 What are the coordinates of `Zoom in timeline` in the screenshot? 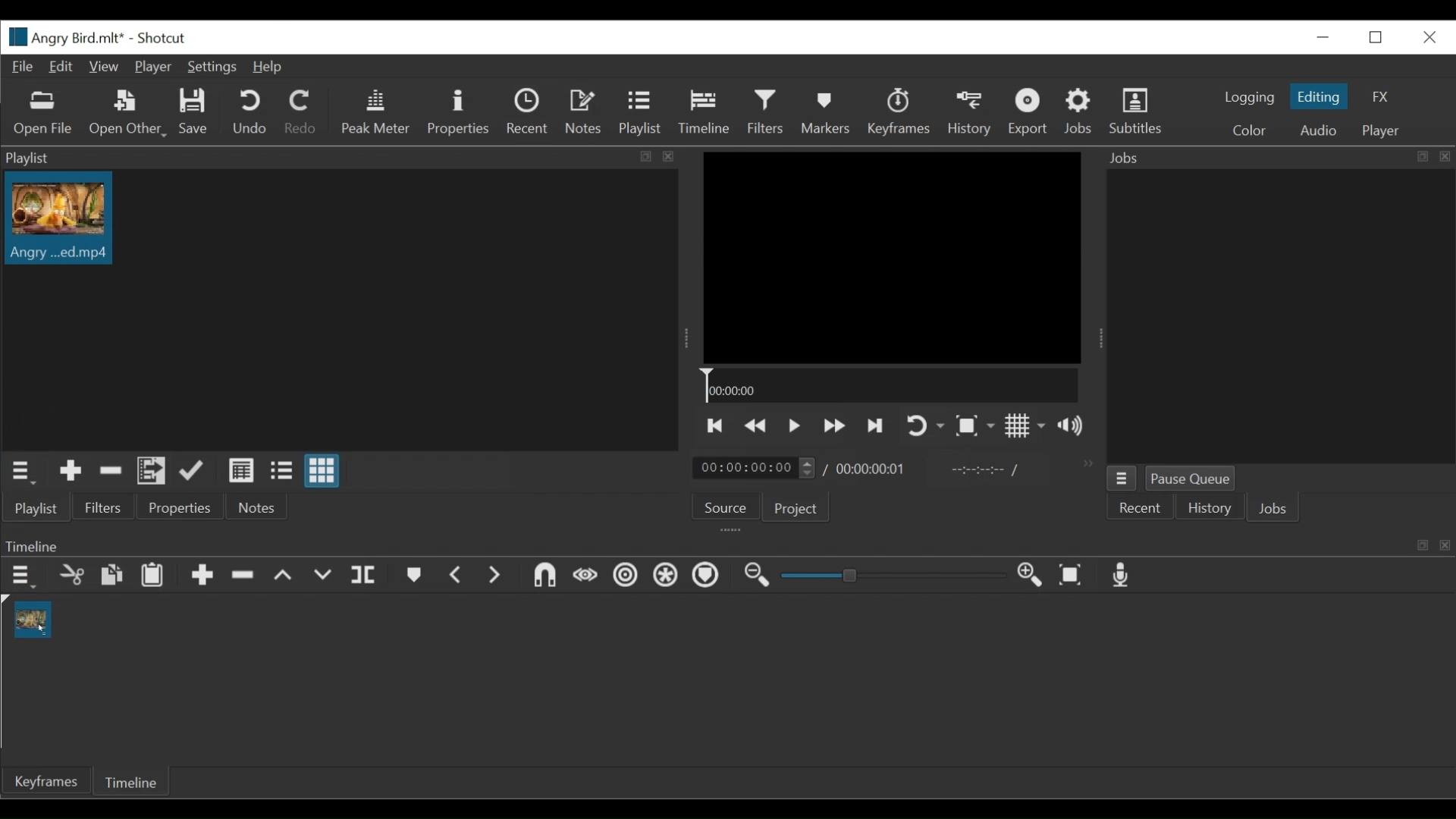 It's located at (1032, 576).